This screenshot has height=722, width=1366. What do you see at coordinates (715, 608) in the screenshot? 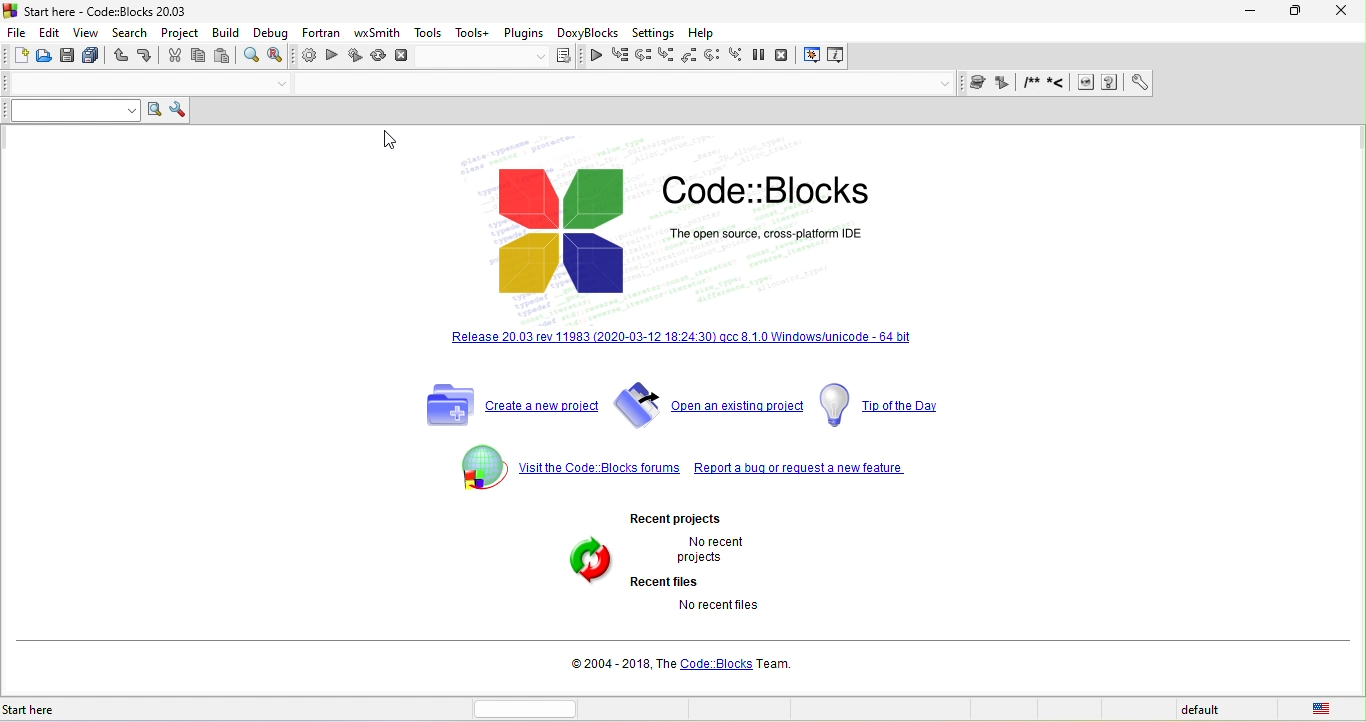
I see `no recent files` at bounding box center [715, 608].